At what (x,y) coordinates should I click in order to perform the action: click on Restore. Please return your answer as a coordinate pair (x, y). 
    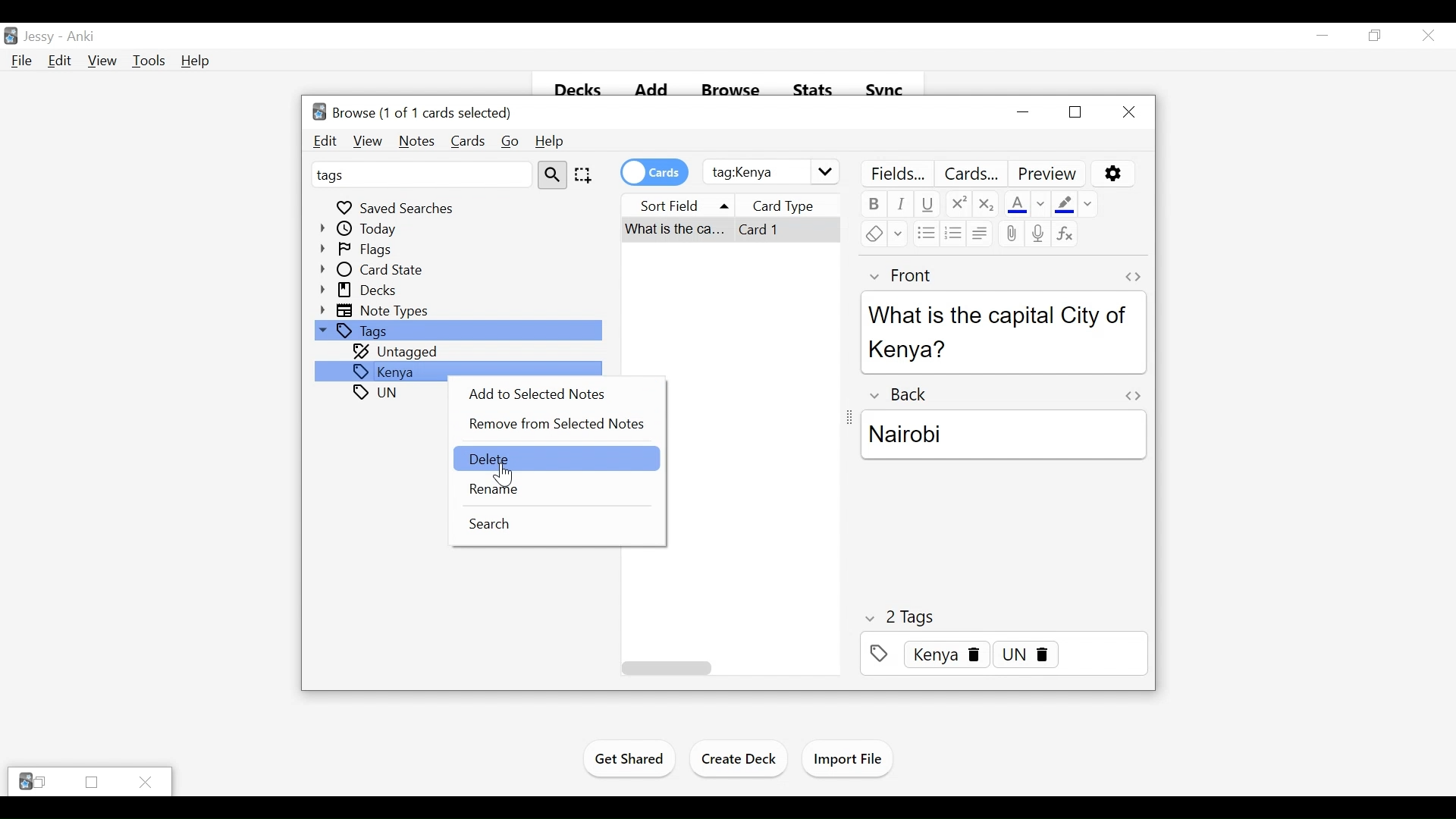
    Looking at the image, I should click on (1075, 111).